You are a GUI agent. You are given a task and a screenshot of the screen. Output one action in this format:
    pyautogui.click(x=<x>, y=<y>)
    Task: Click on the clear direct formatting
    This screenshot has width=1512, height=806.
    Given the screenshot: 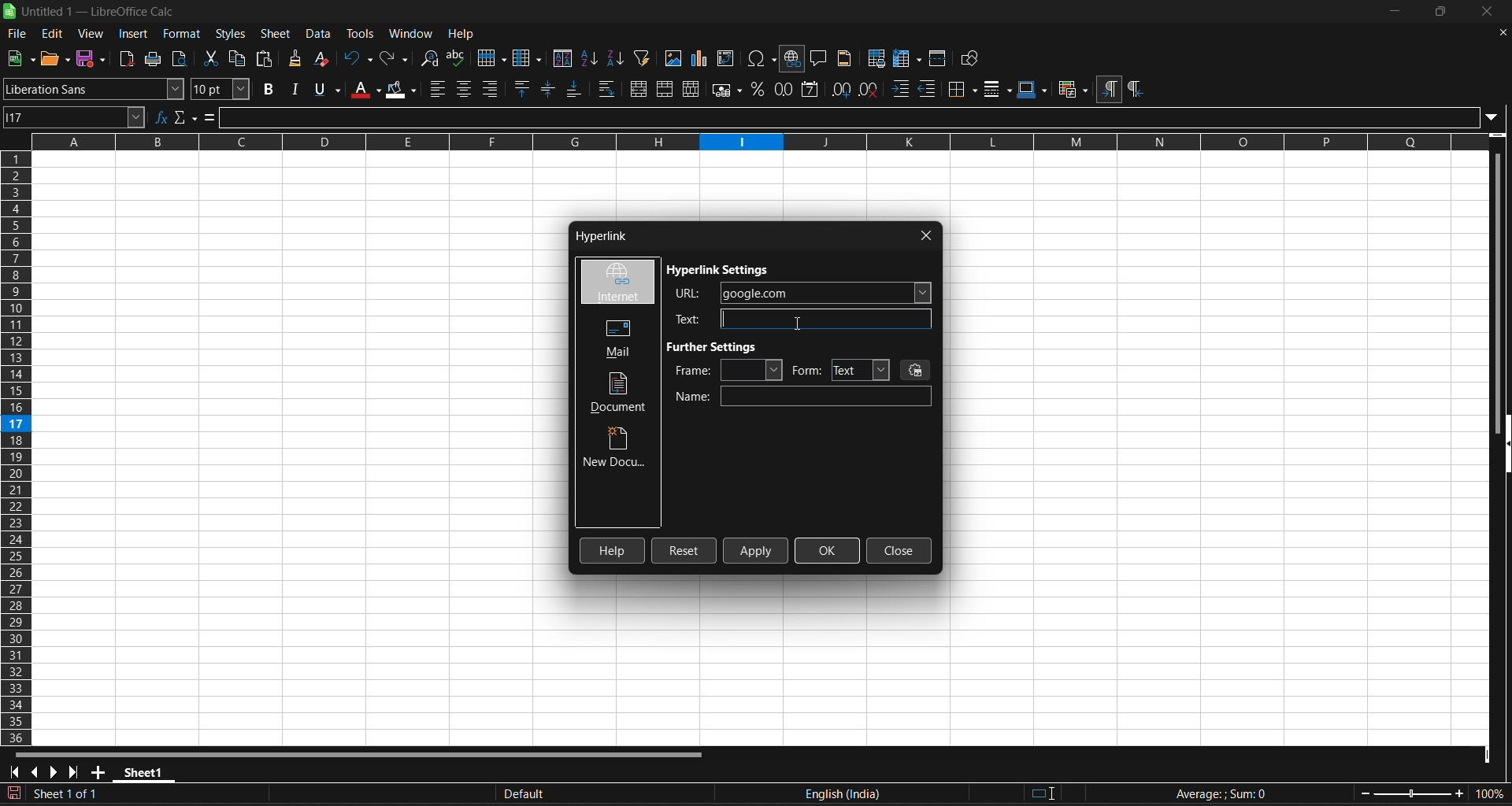 What is the action you would take?
    pyautogui.click(x=324, y=60)
    